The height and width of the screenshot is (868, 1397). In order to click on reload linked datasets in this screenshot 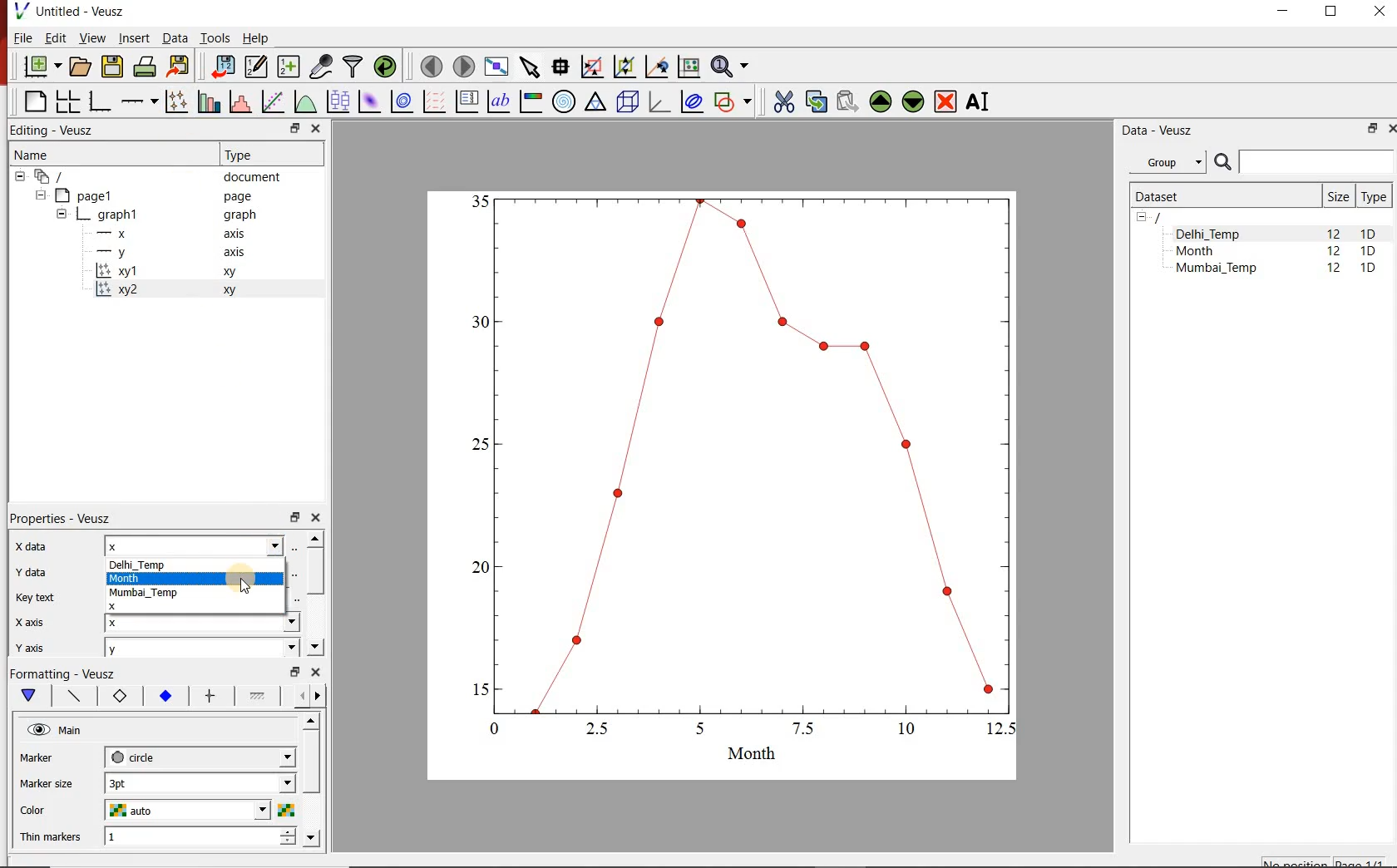, I will do `click(385, 65)`.